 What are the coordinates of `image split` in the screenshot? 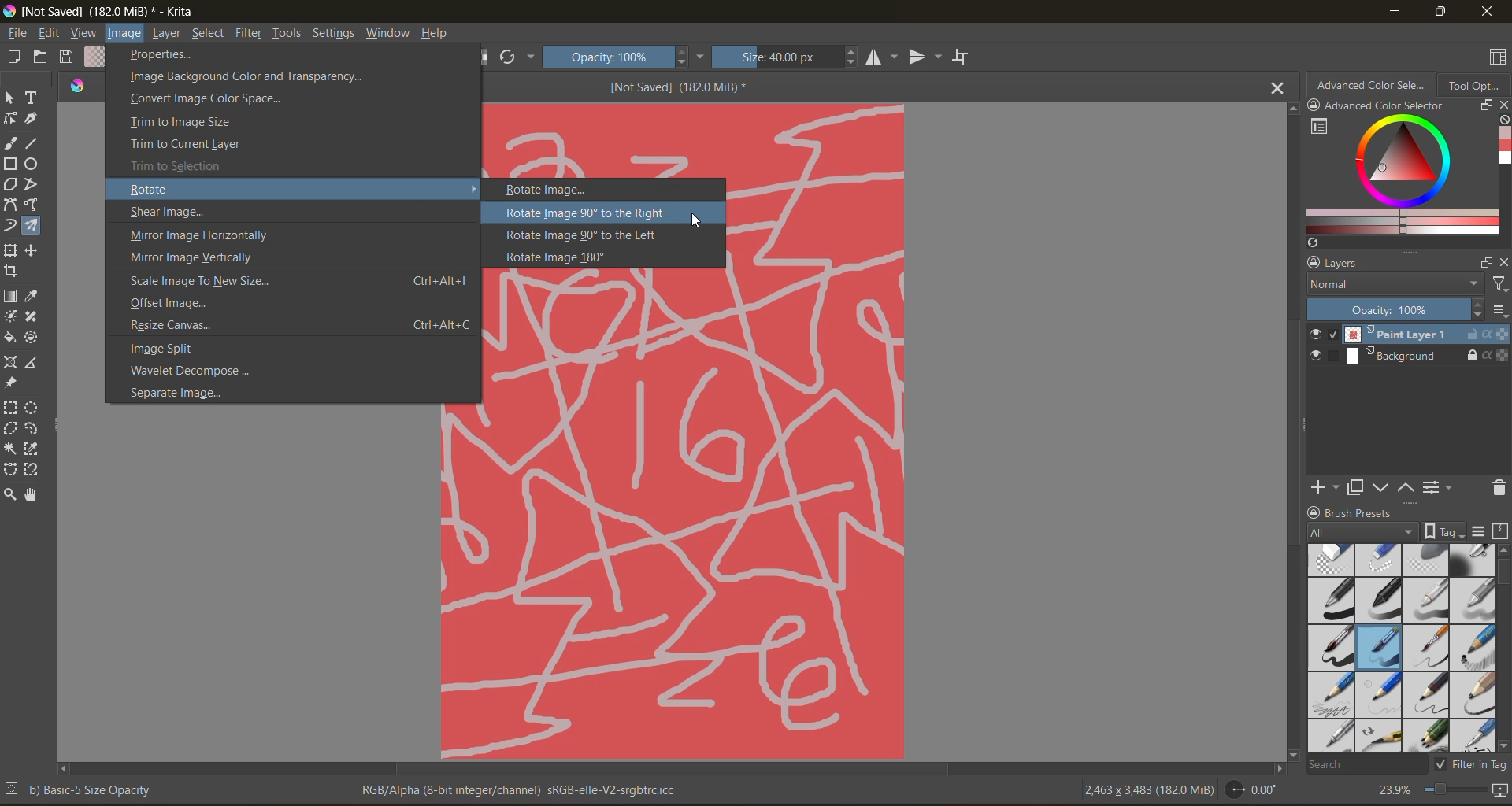 It's located at (180, 349).